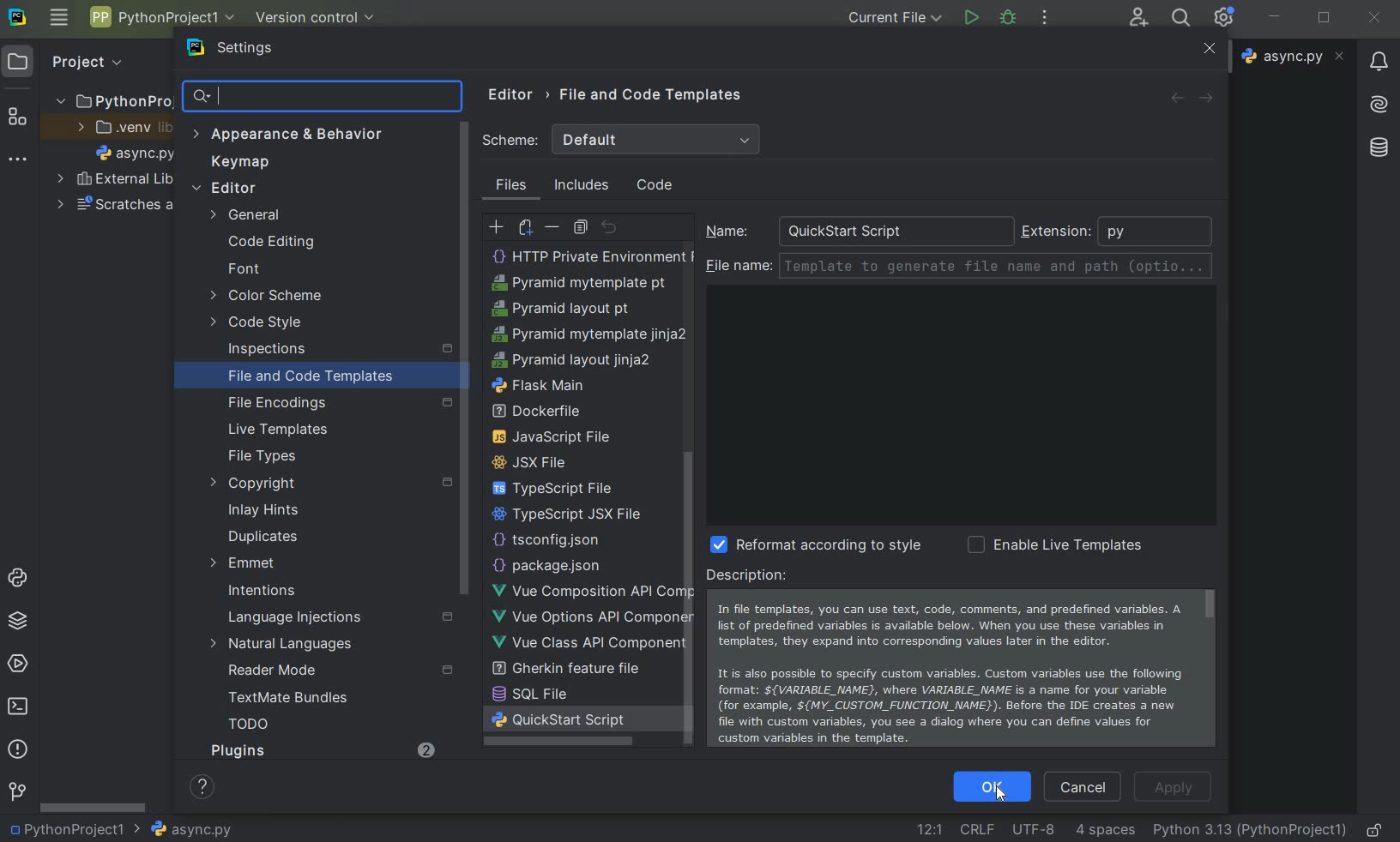  Describe the element at coordinates (344, 673) in the screenshot. I see `reader mode` at that location.